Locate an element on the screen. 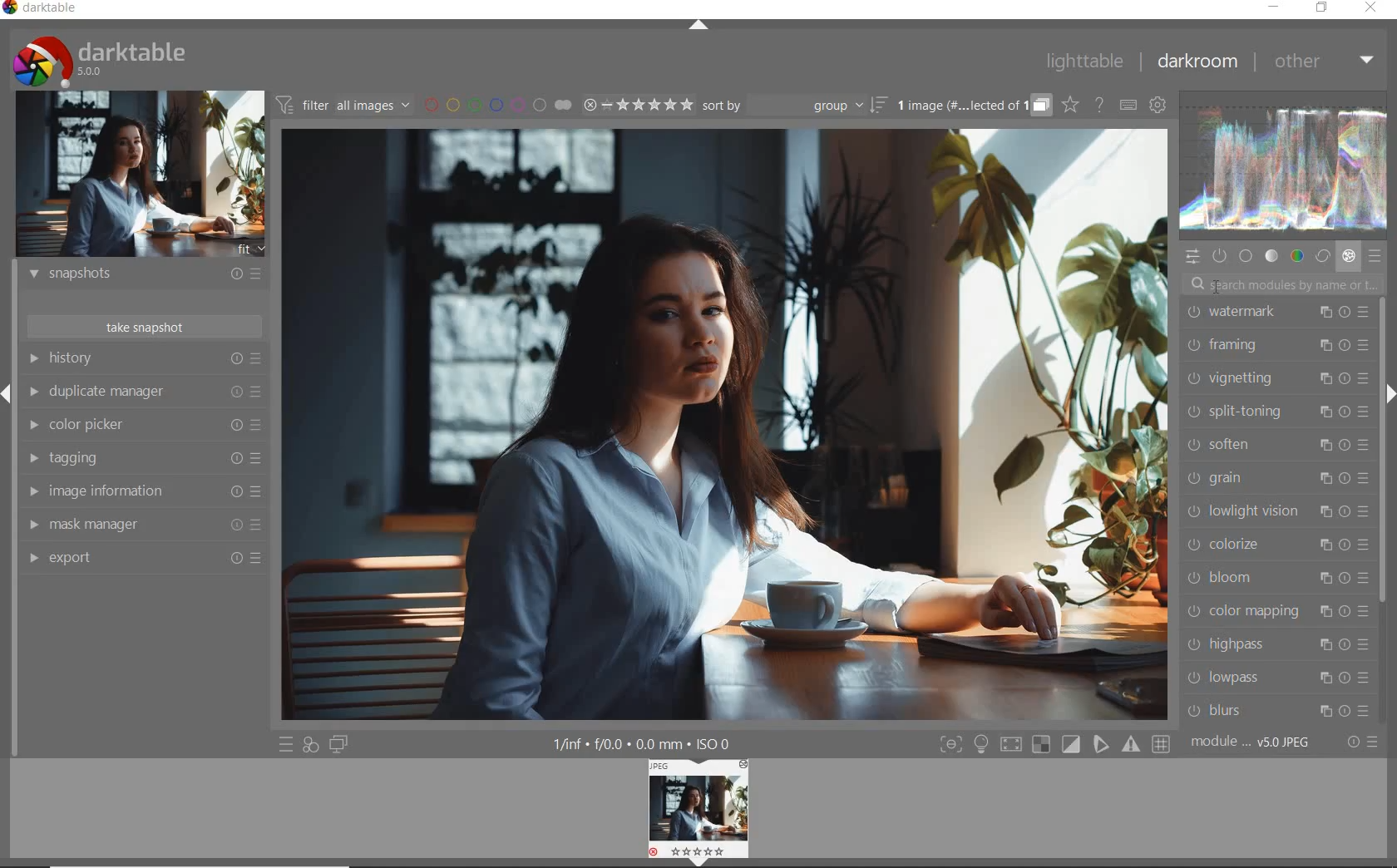 The width and height of the screenshot is (1397, 868). darkroom is located at coordinates (1199, 62).